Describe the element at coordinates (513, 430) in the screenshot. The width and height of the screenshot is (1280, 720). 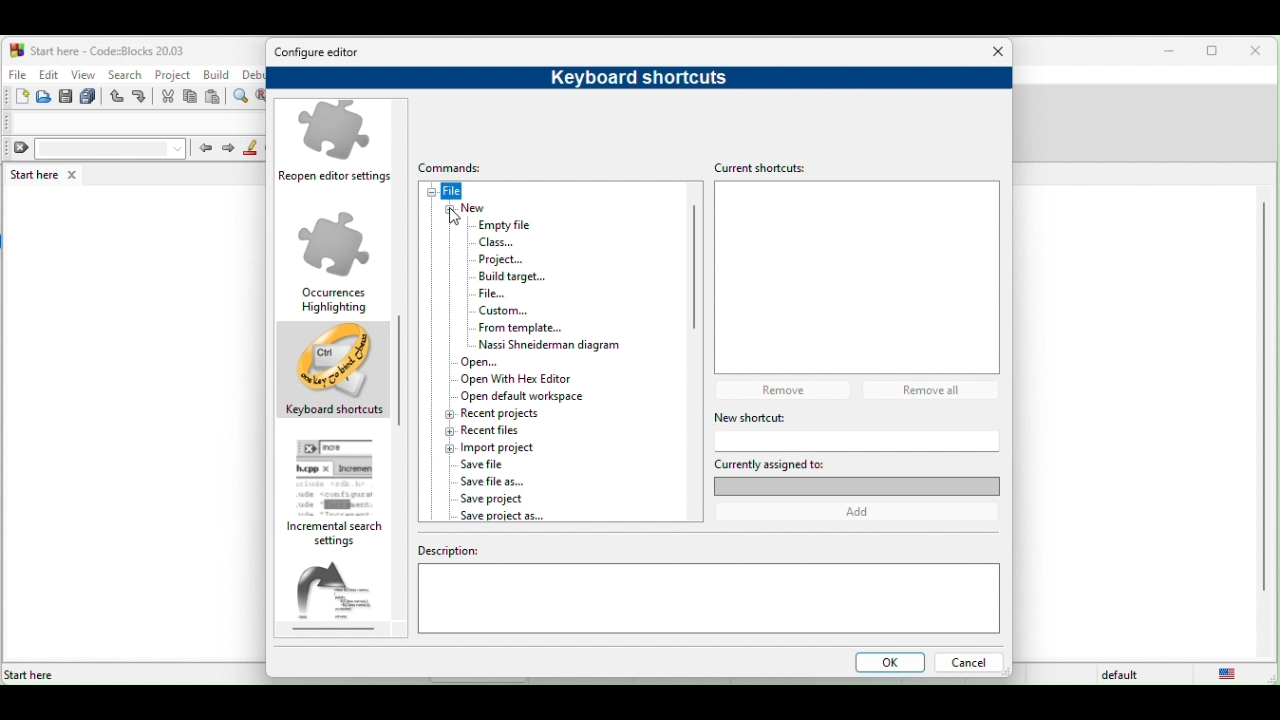
I see `recent file` at that location.